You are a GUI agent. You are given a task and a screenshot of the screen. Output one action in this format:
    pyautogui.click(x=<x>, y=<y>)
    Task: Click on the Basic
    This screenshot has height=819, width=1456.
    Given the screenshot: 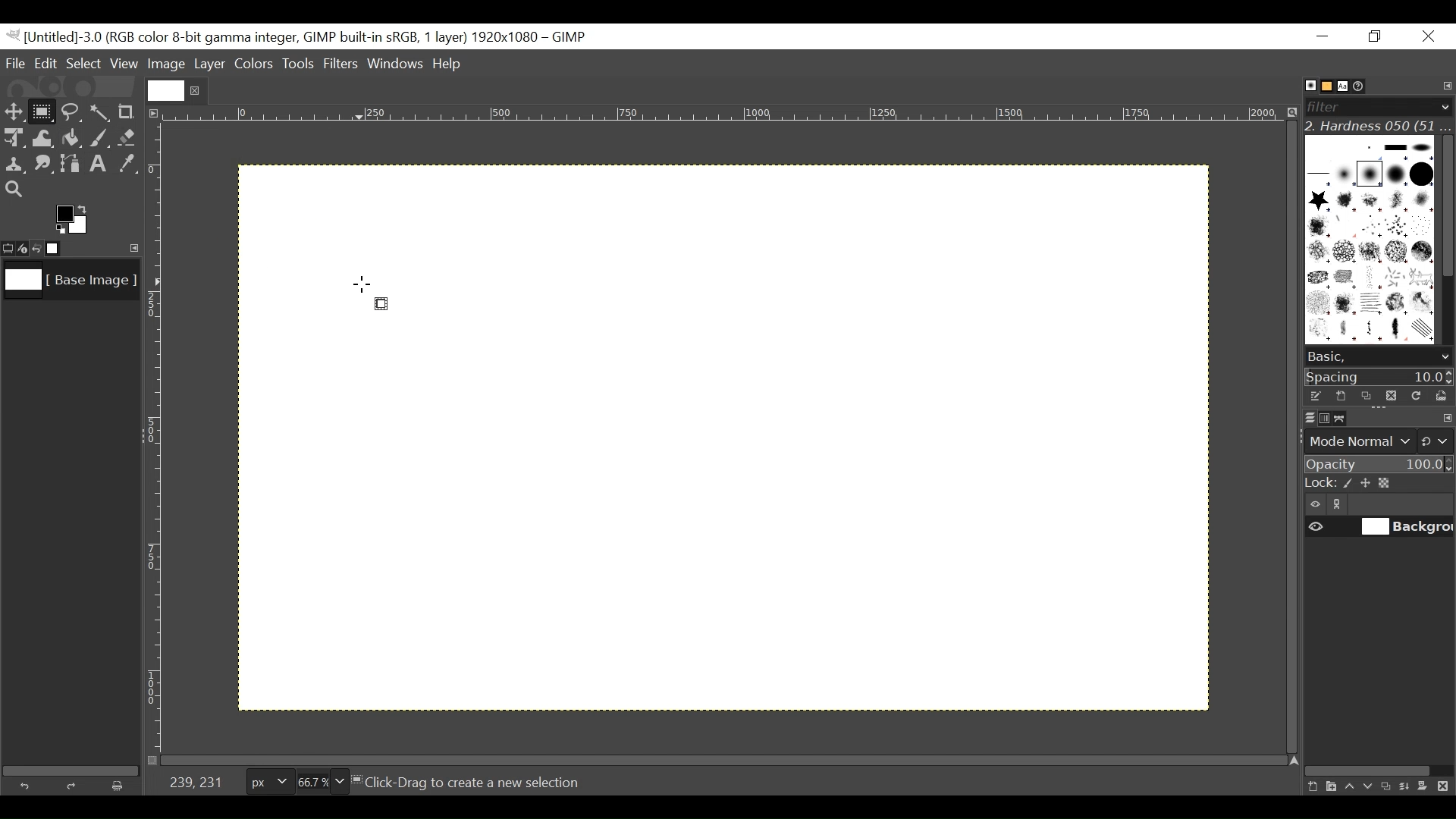 What is the action you would take?
    pyautogui.click(x=1323, y=86)
    